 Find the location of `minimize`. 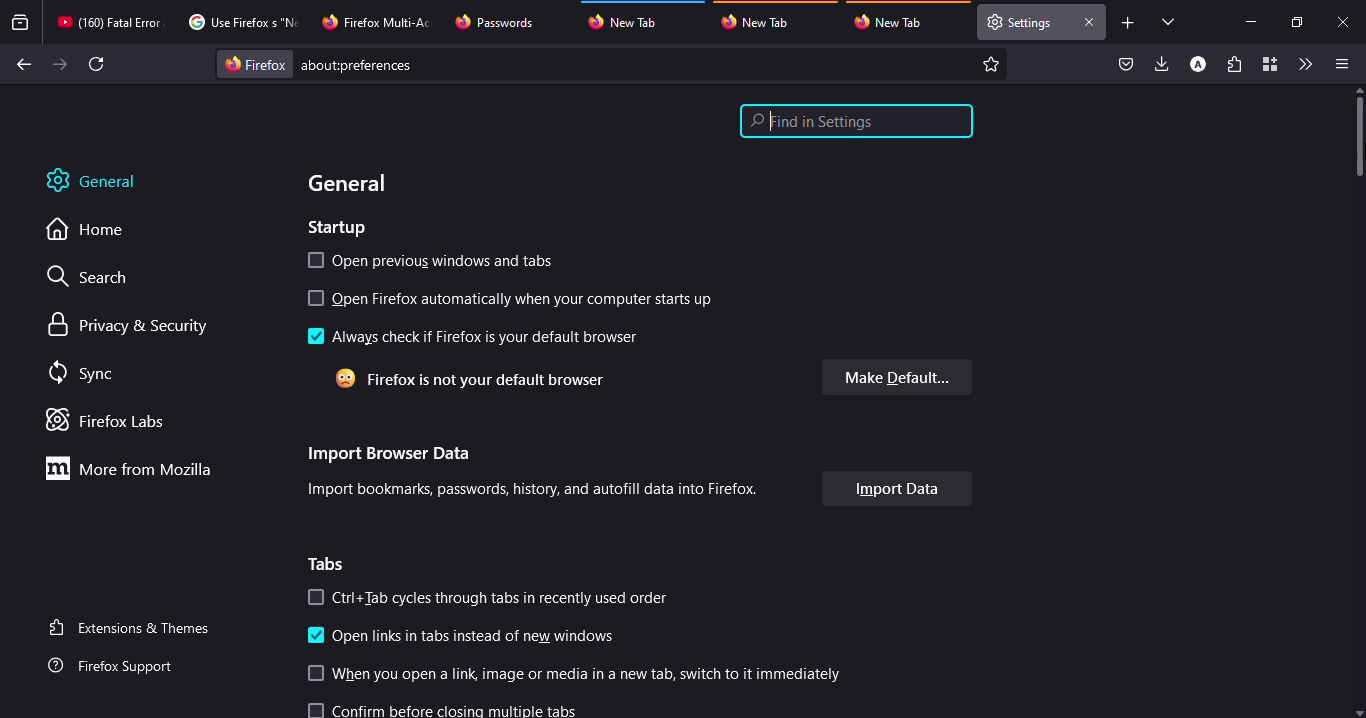

minimize is located at coordinates (1250, 21).